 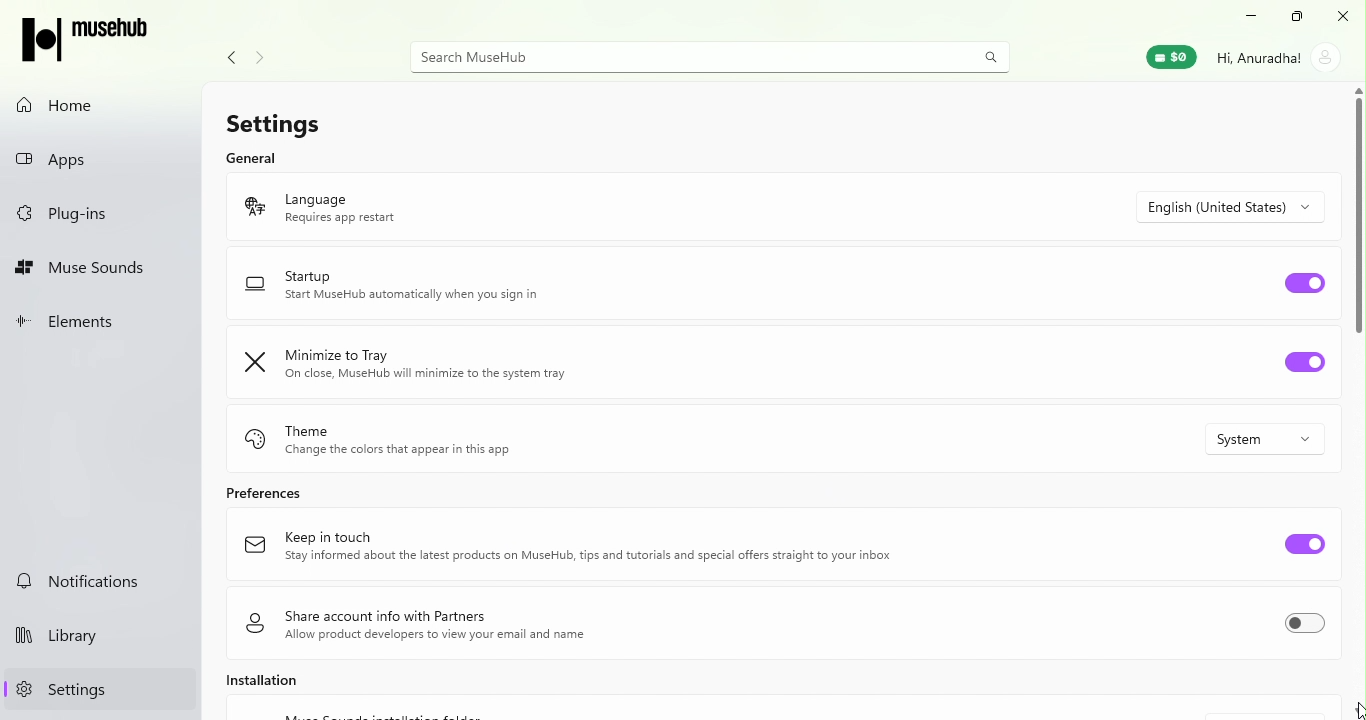 What do you see at coordinates (1327, 59) in the screenshot?
I see `account` at bounding box center [1327, 59].